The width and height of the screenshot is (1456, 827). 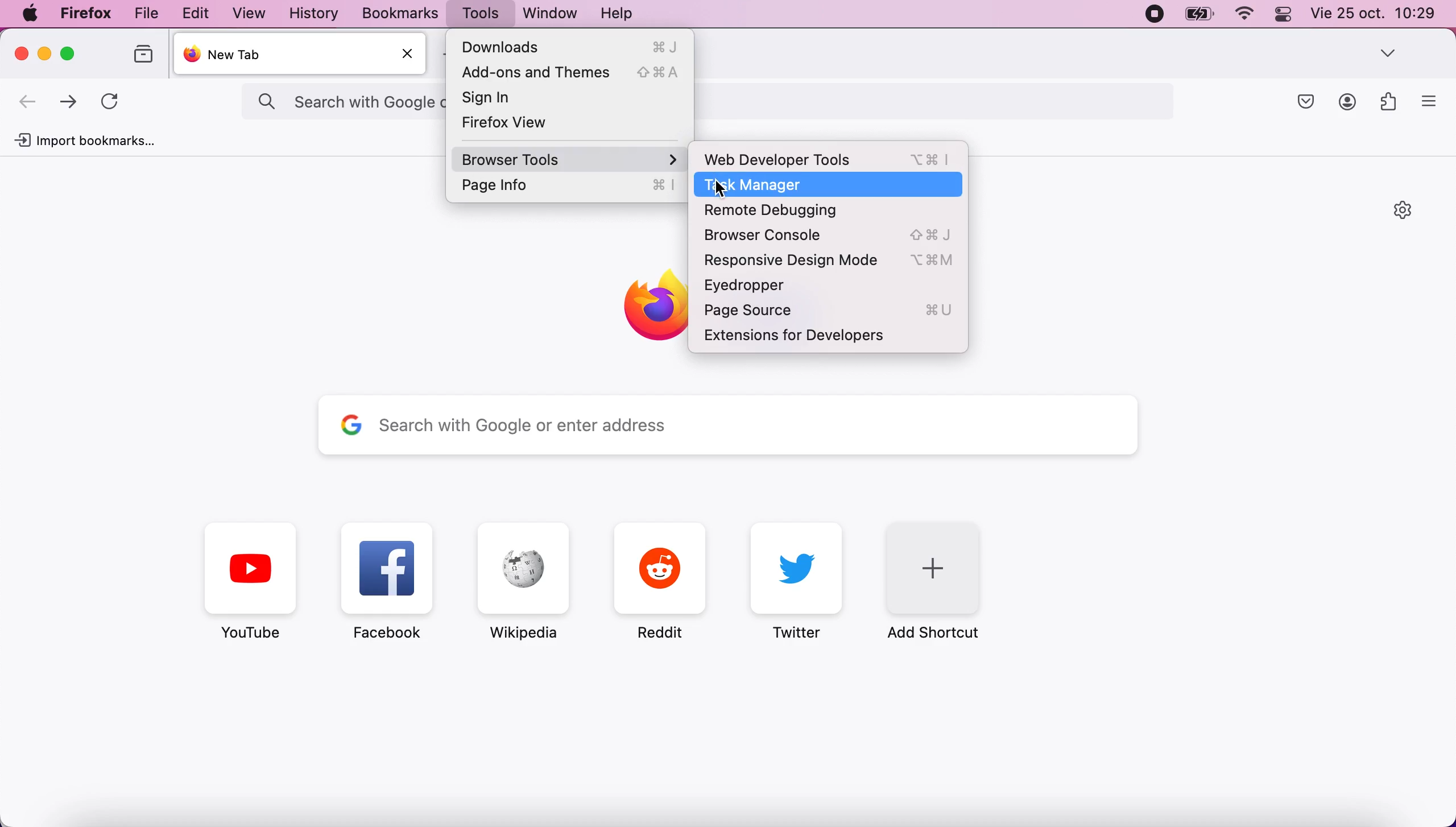 What do you see at coordinates (1390, 101) in the screenshot?
I see `Widget` at bounding box center [1390, 101].